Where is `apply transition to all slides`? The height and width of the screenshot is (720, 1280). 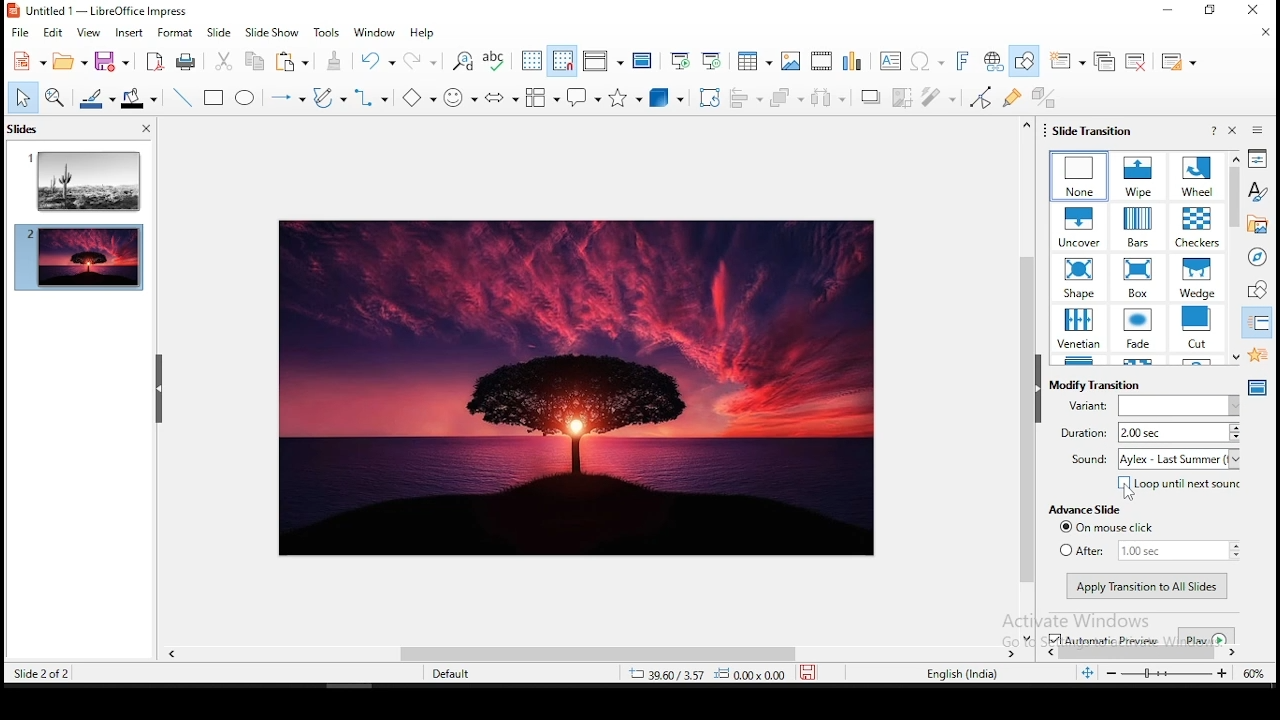
apply transition to all slides is located at coordinates (1146, 585).